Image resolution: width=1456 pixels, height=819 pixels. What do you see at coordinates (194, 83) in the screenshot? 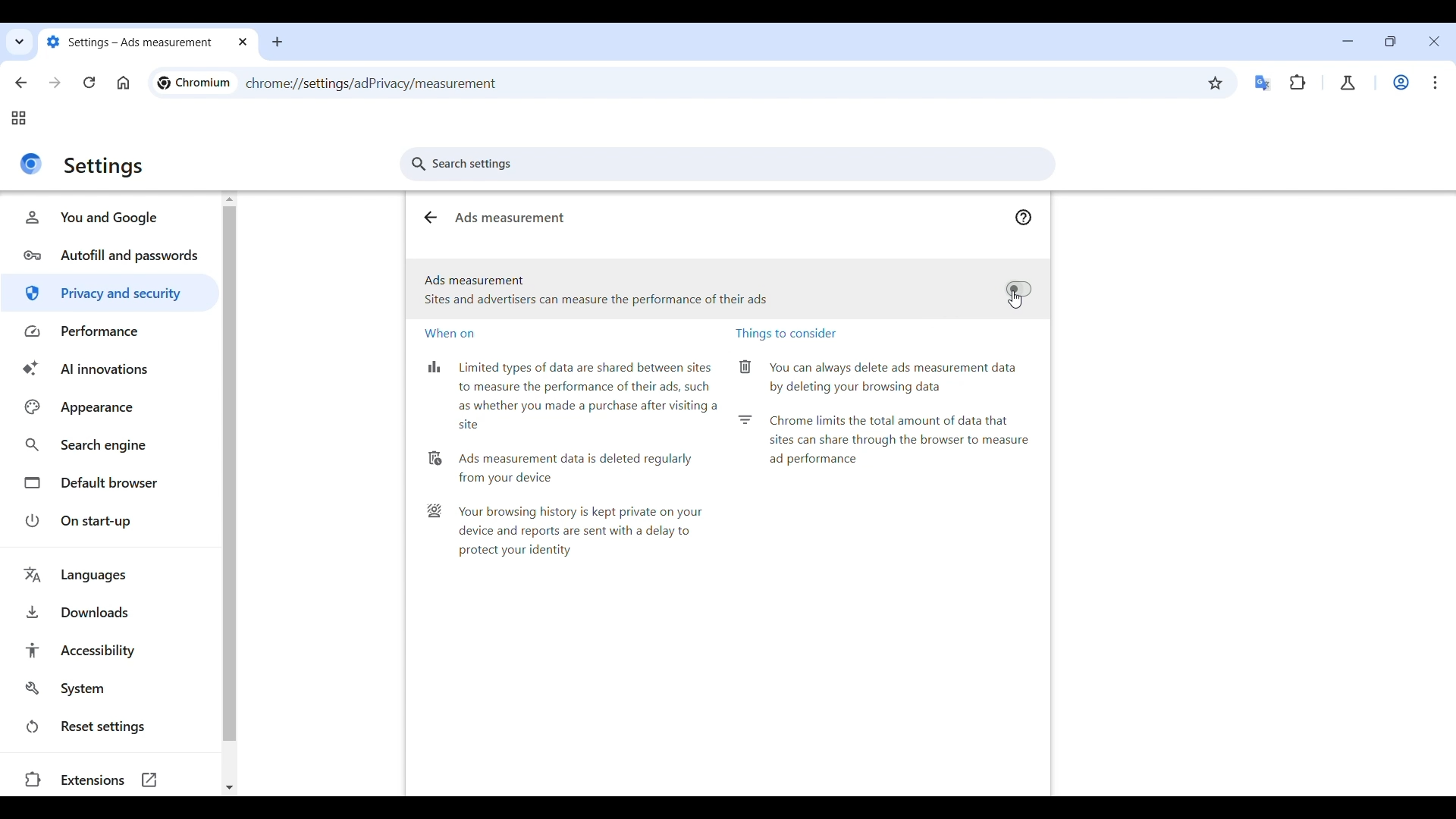
I see `Logo and name of current site` at bounding box center [194, 83].